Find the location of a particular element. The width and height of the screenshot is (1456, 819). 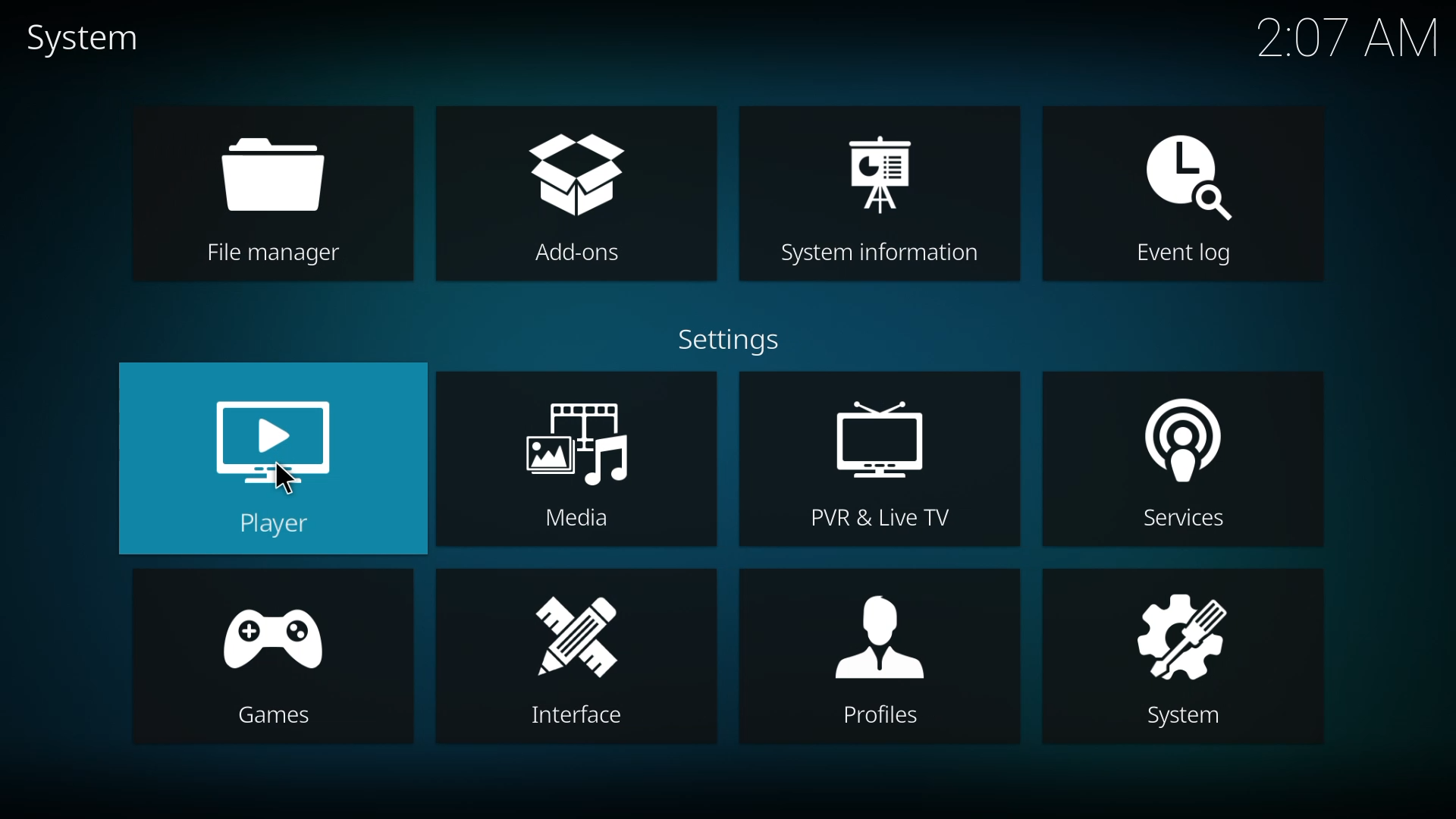

services is located at coordinates (1183, 465).